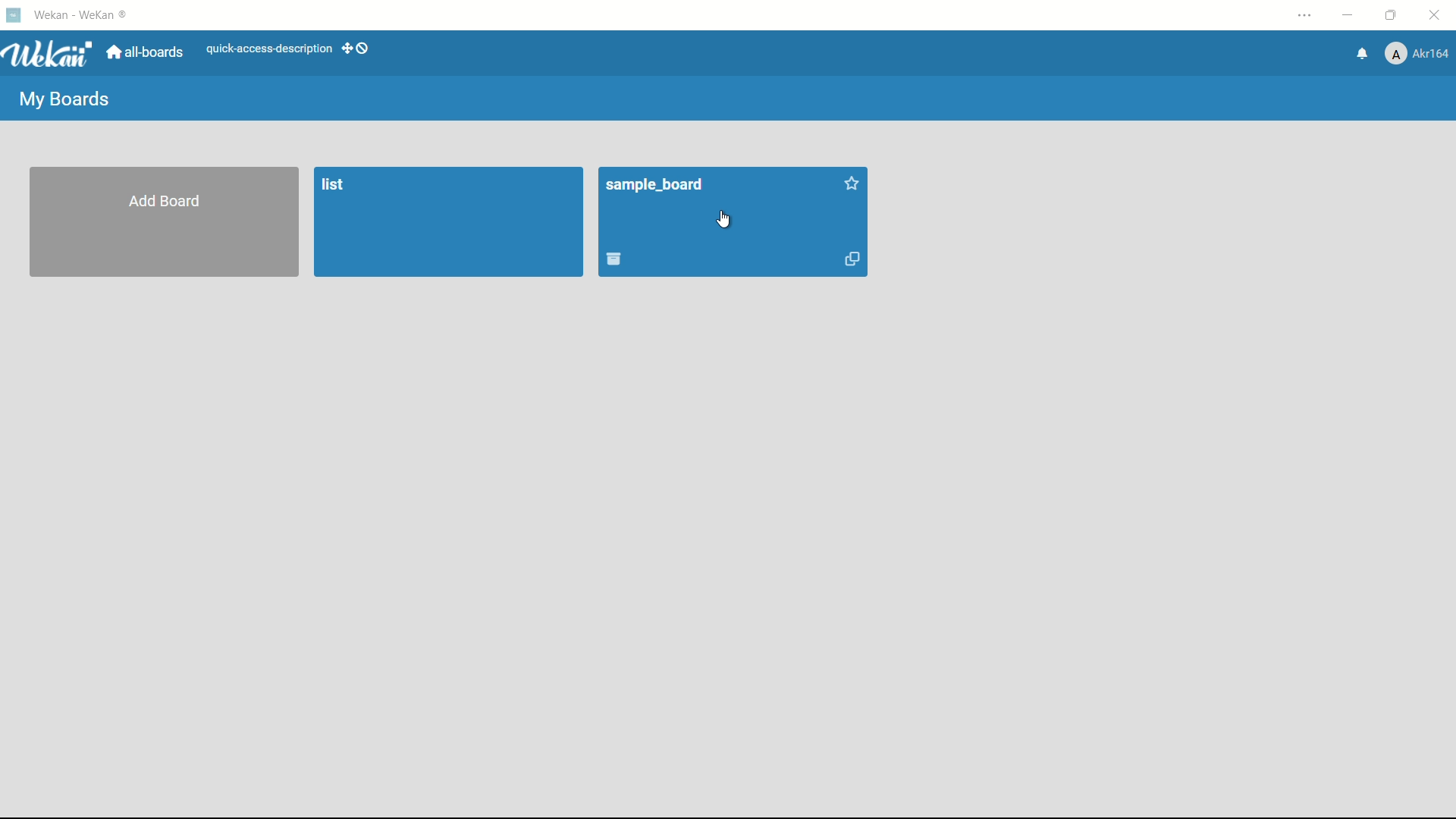 This screenshot has width=1456, height=819. What do you see at coordinates (616, 260) in the screenshot?
I see `move board to archive` at bounding box center [616, 260].